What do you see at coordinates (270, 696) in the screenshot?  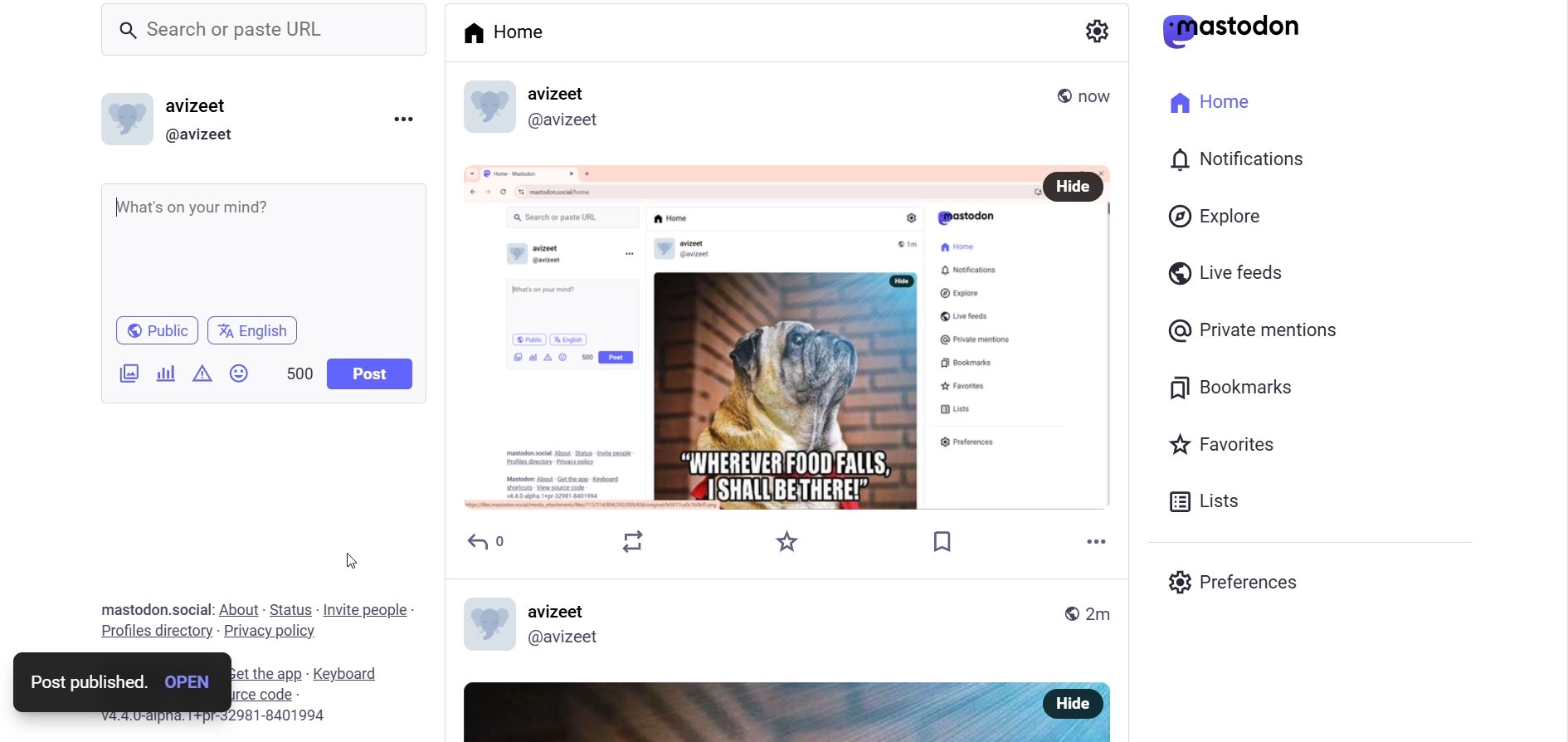 I see `View Source Code` at bounding box center [270, 696].